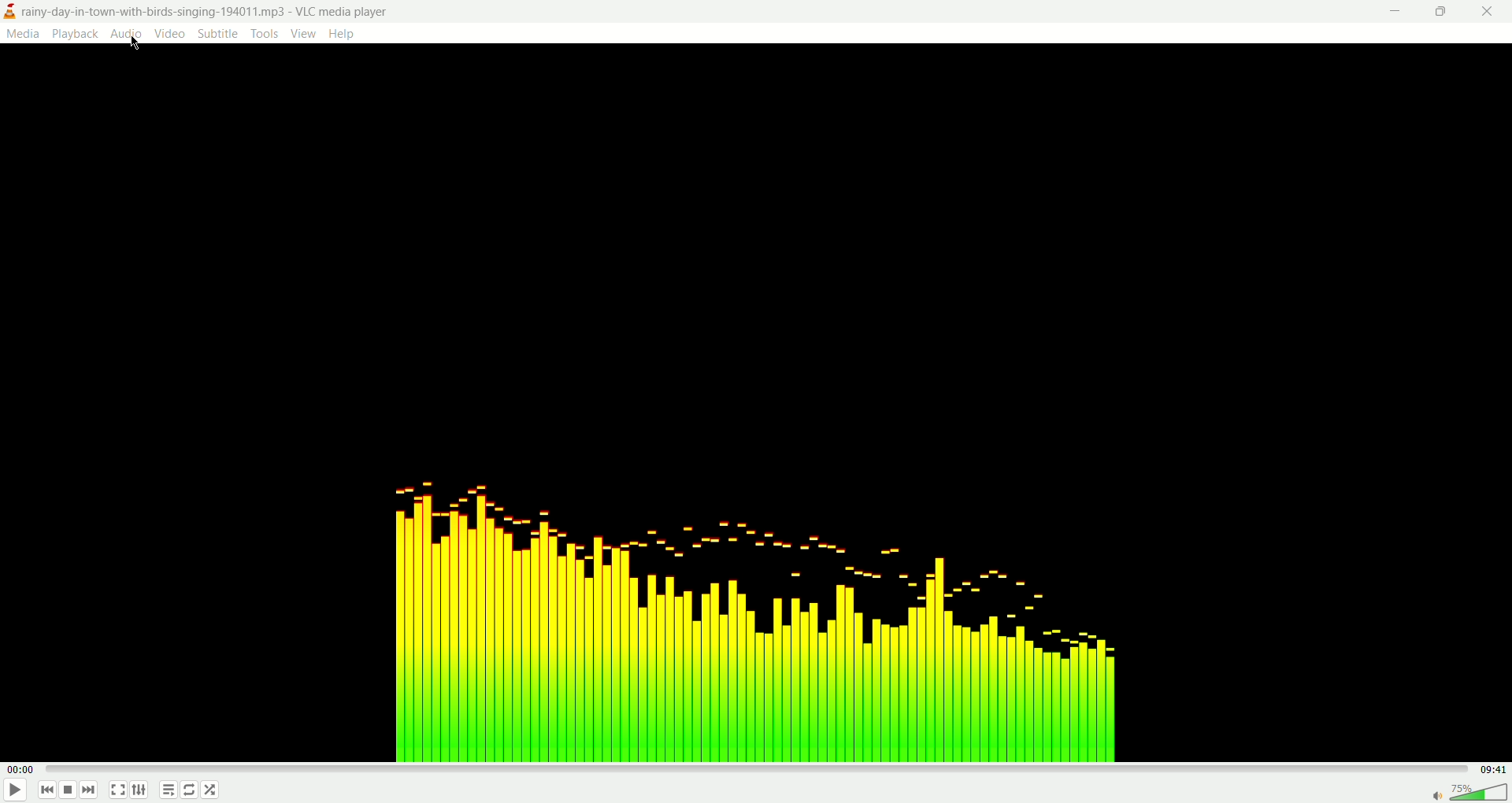  What do you see at coordinates (168, 790) in the screenshot?
I see `playlist` at bounding box center [168, 790].